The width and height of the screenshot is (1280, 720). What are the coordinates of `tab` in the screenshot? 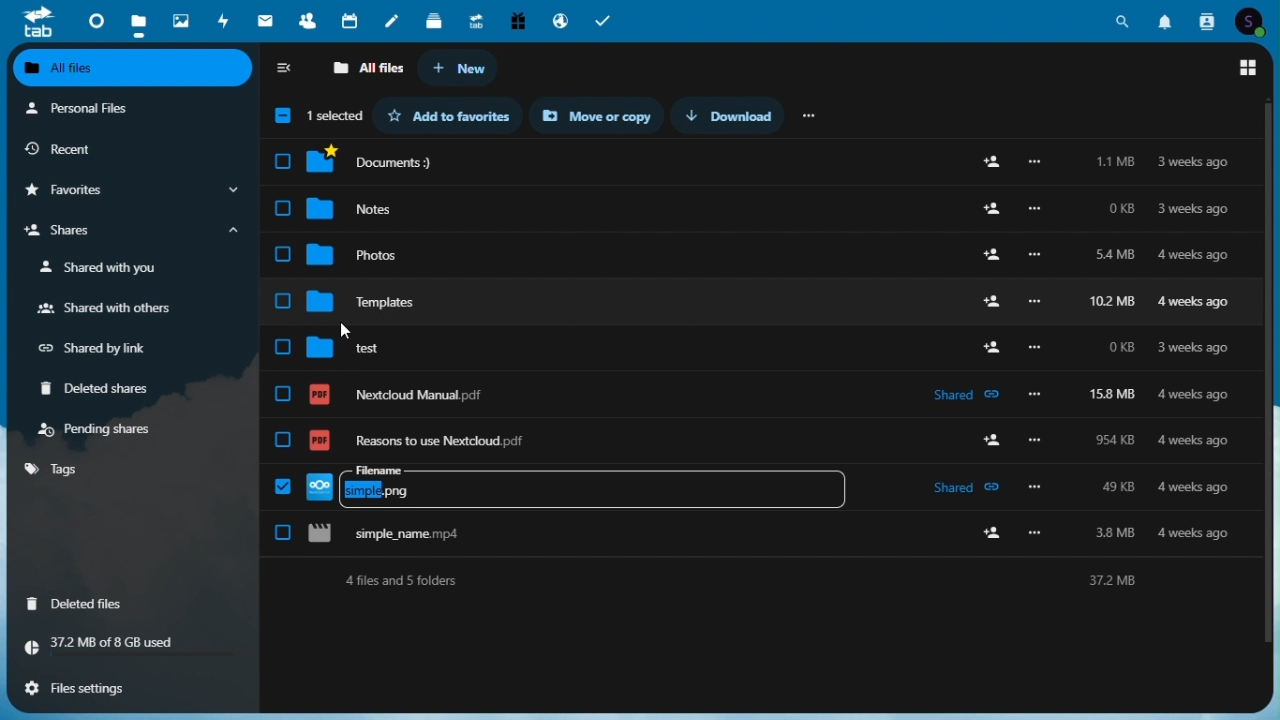 It's located at (30, 21).